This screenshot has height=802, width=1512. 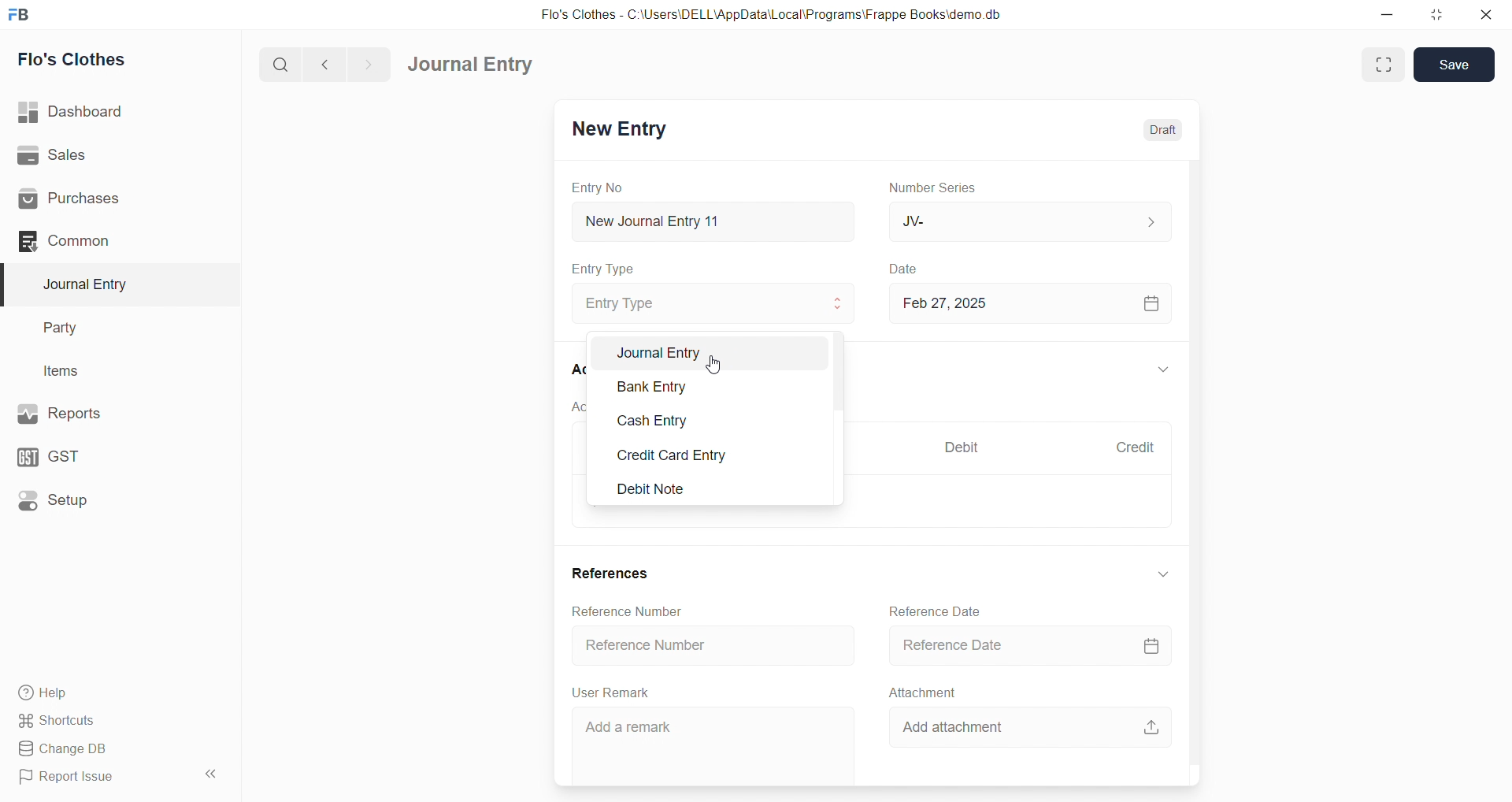 I want to click on Journal Entry i, so click(x=703, y=354).